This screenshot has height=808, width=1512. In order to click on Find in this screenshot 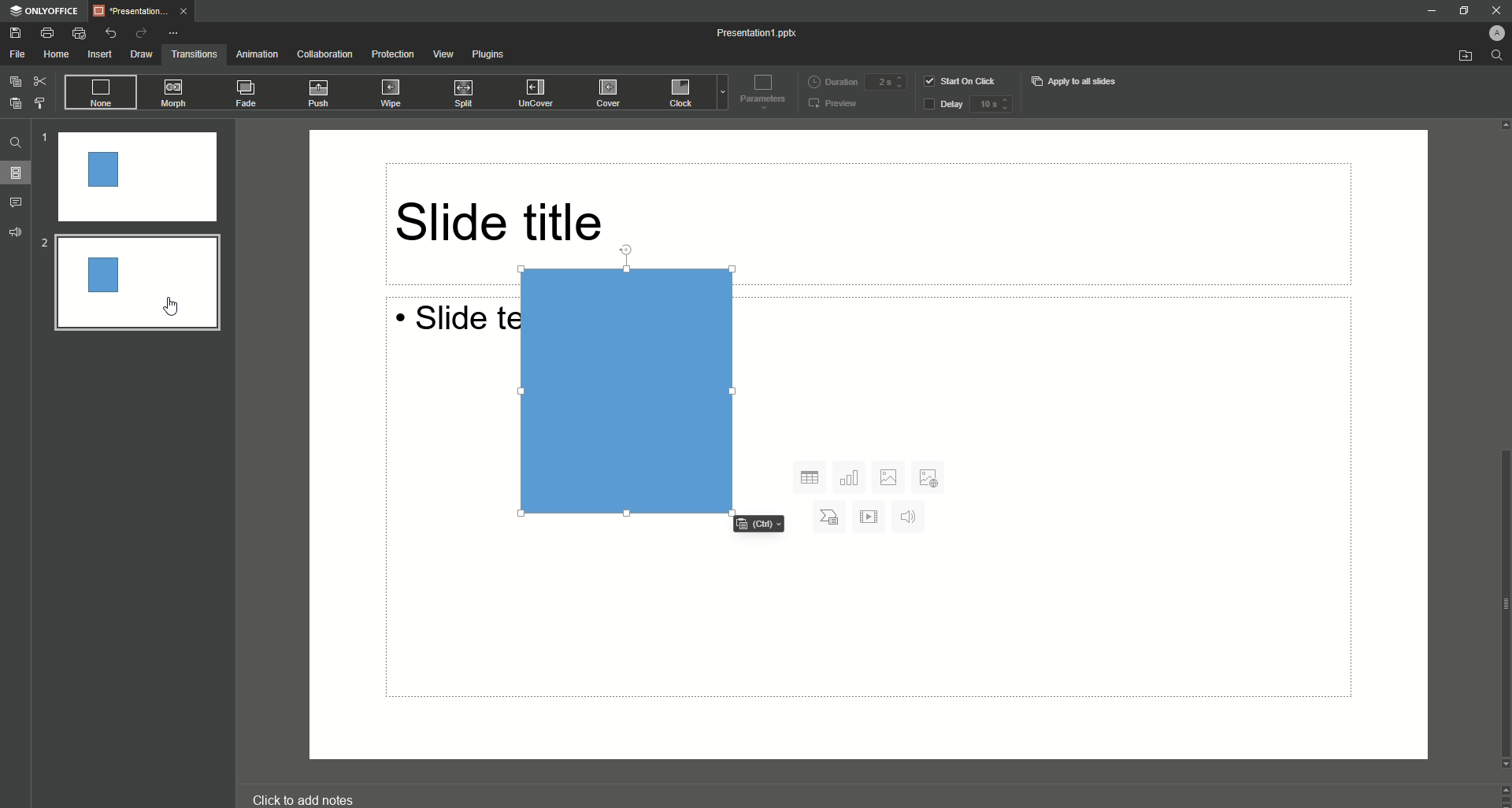, I will do `click(1497, 56)`.